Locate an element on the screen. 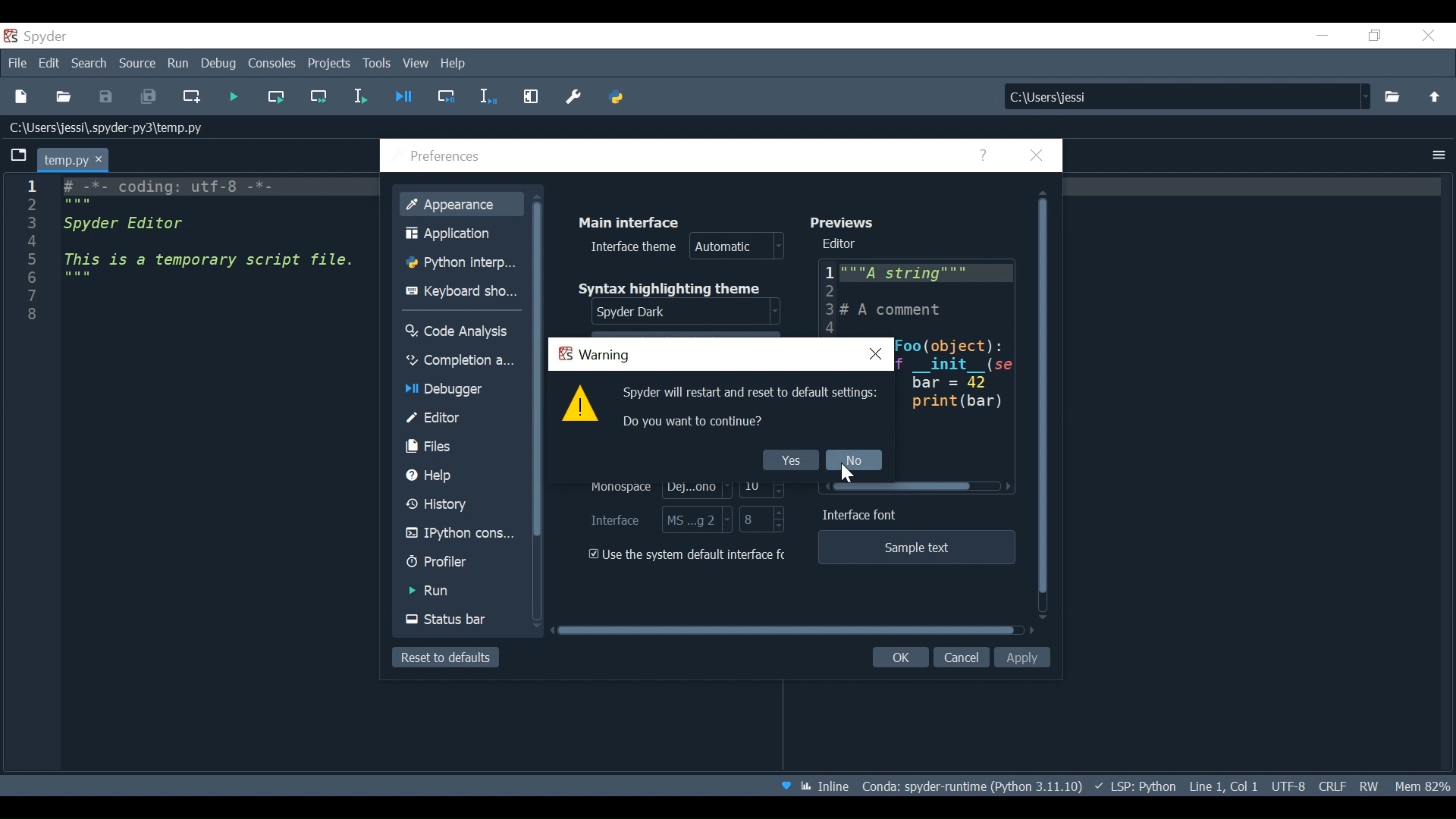  Restore is located at coordinates (1376, 35).